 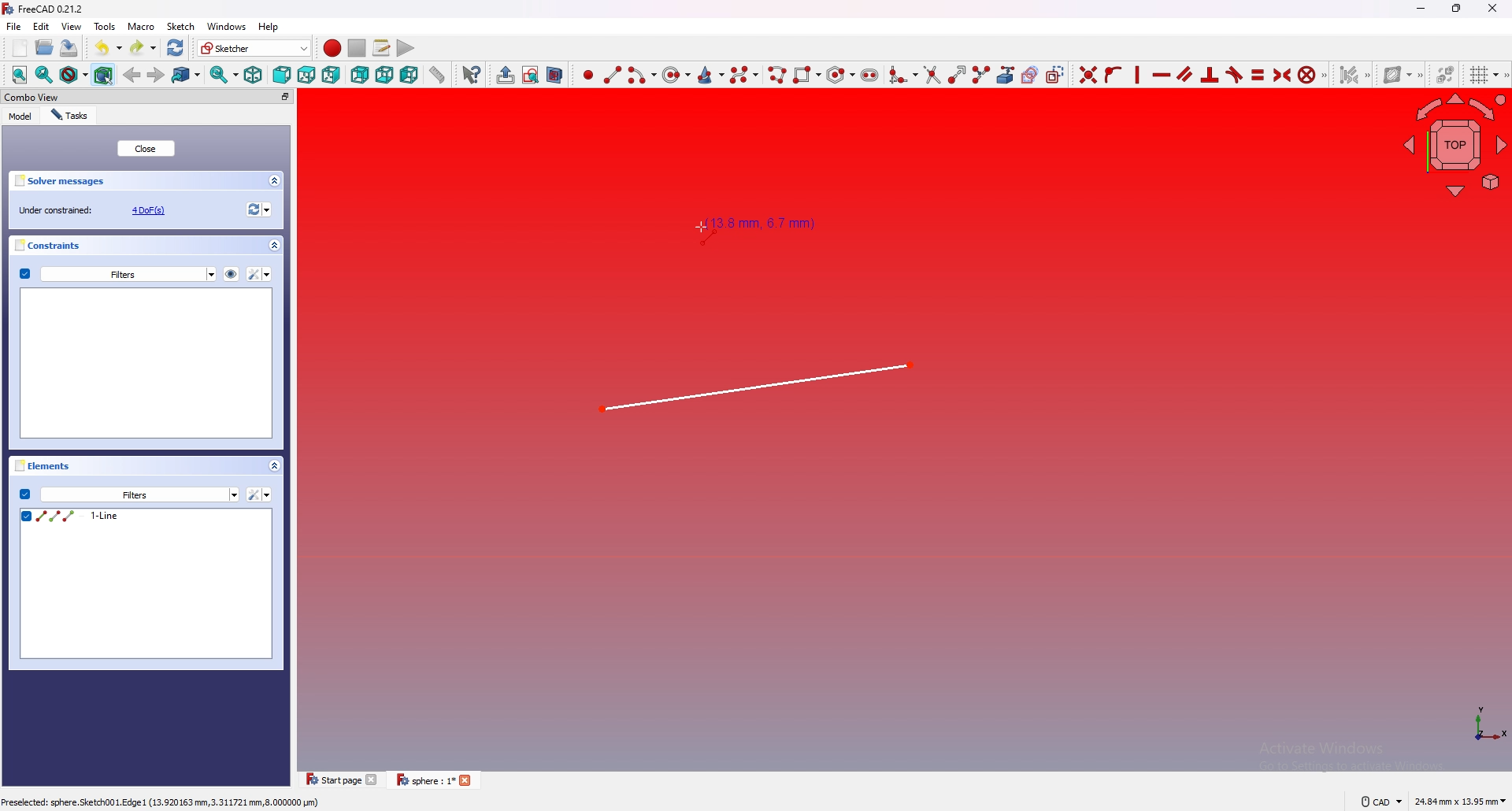 What do you see at coordinates (1004, 75) in the screenshot?
I see `Create external geometry` at bounding box center [1004, 75].